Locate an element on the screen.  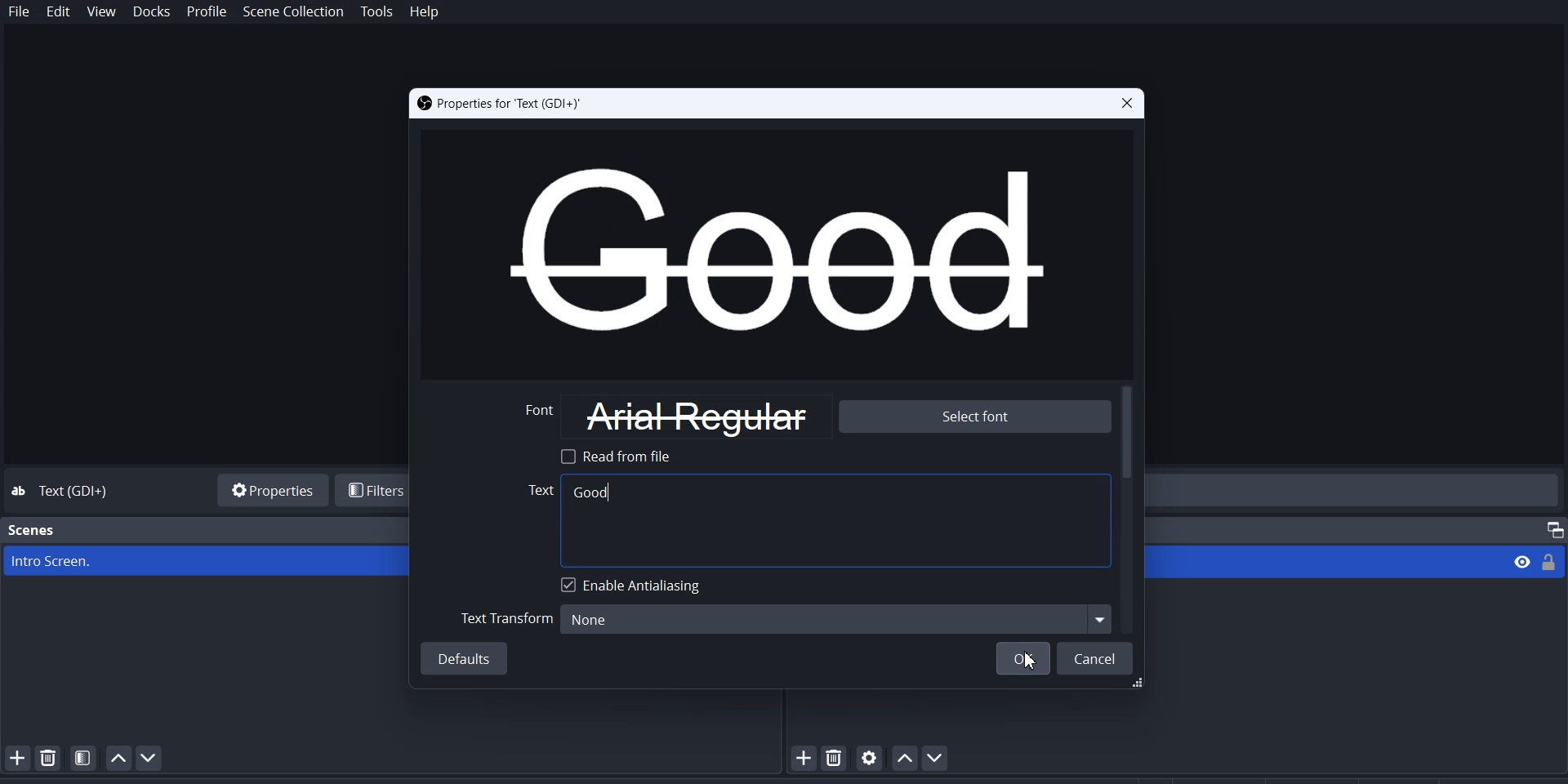
OK is located at coordinates (1022, 660).